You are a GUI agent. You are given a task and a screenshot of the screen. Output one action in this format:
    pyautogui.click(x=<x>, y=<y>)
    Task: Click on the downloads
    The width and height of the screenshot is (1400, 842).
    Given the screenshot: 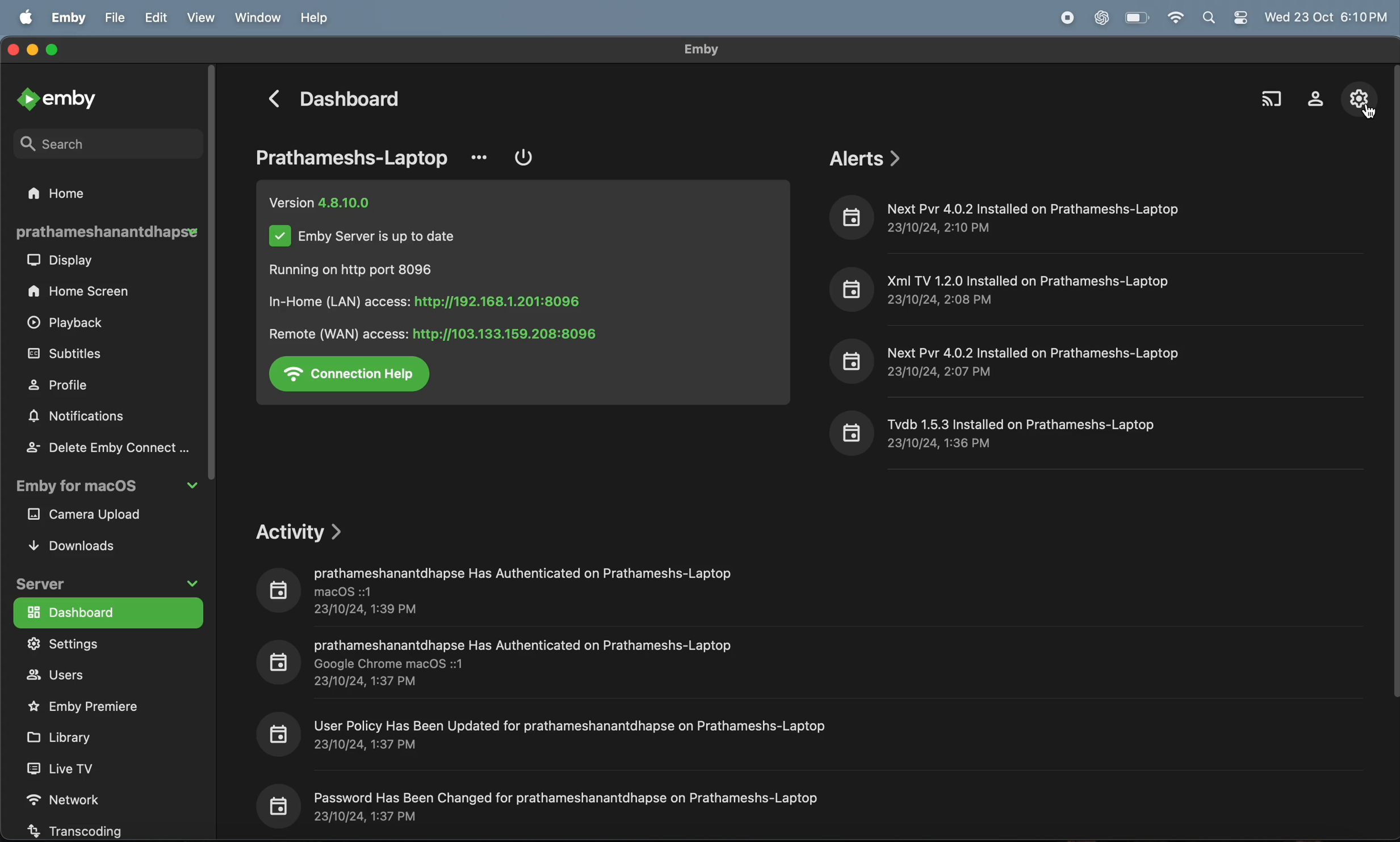 What is the action you would take?
    pyautogui.click(x=95, y=545)
    